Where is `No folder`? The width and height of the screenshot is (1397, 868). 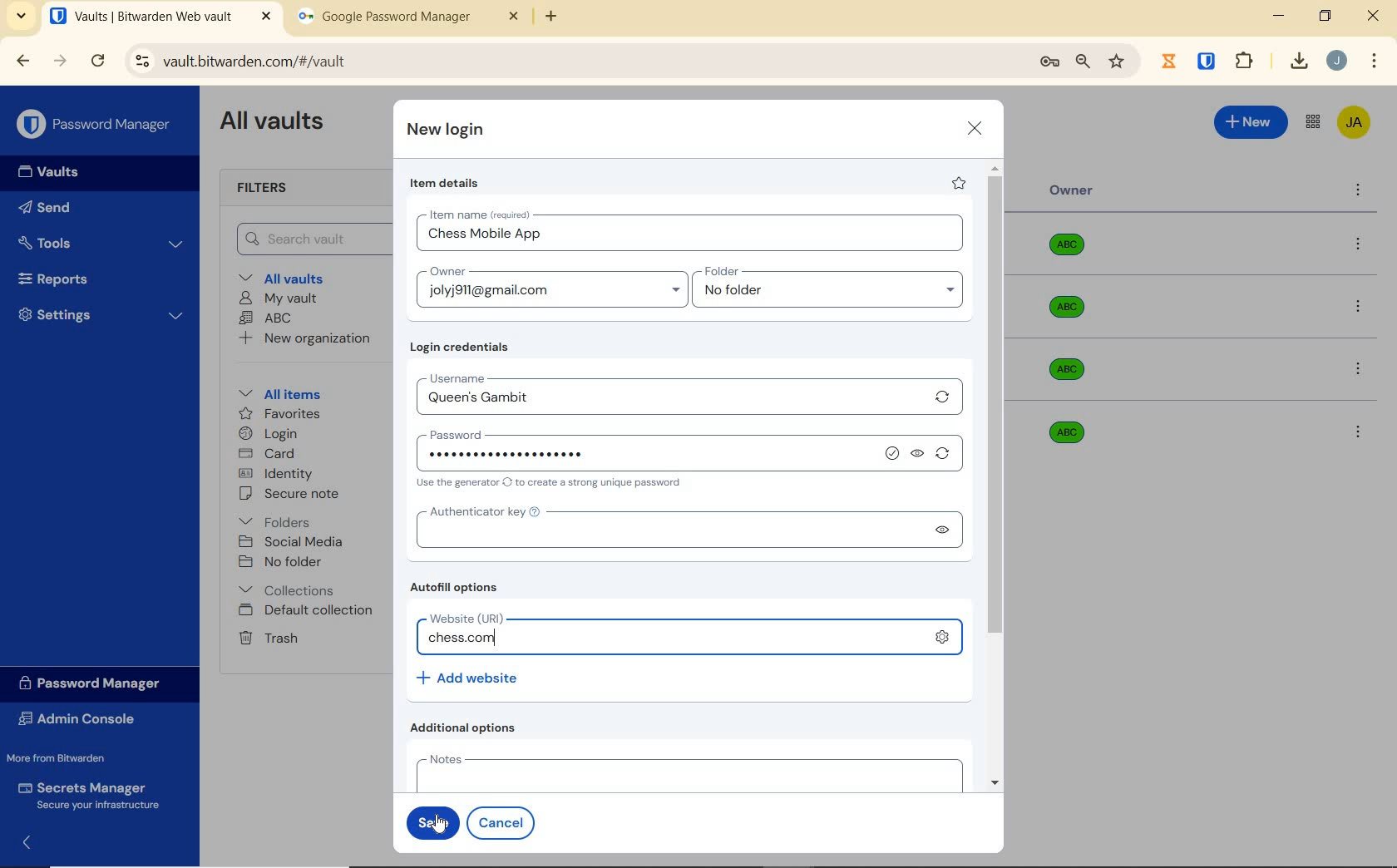
No folder is located at coordinates (283, 563).